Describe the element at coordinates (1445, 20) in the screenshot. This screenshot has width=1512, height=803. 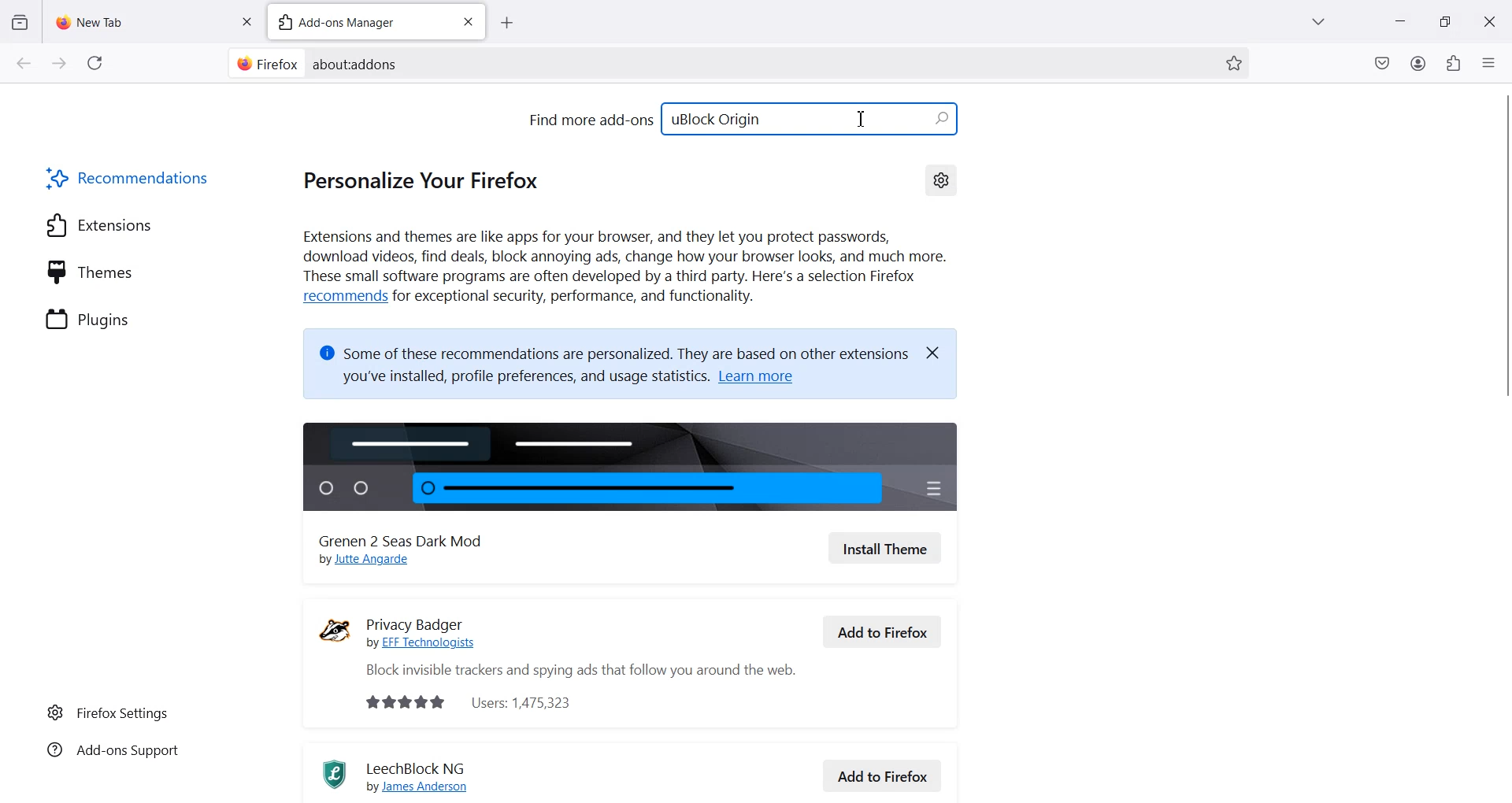
I see `Maximize` at that location.